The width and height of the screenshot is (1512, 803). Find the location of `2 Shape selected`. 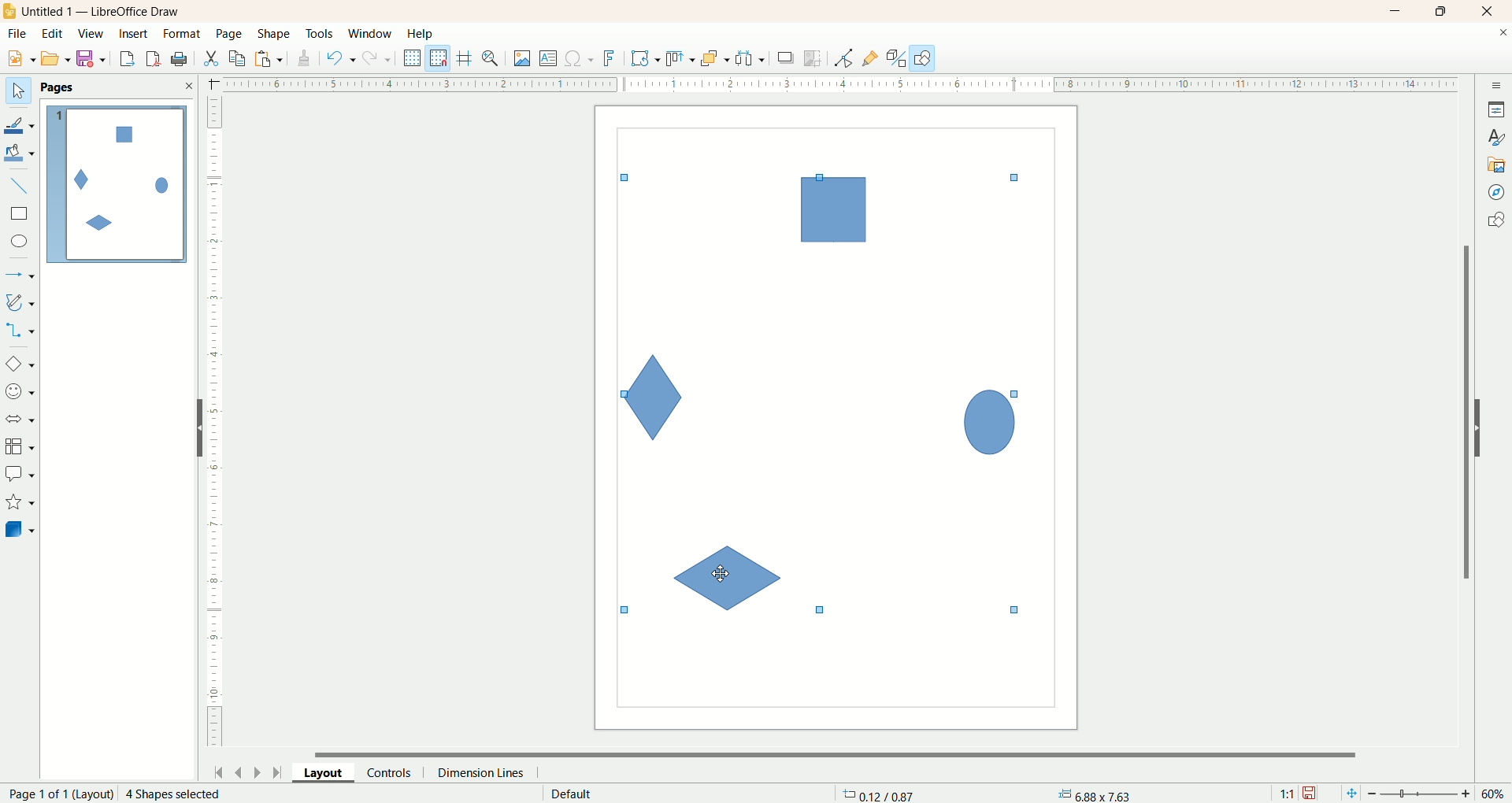

2 Shape selected is located at coordinates (172, 794).